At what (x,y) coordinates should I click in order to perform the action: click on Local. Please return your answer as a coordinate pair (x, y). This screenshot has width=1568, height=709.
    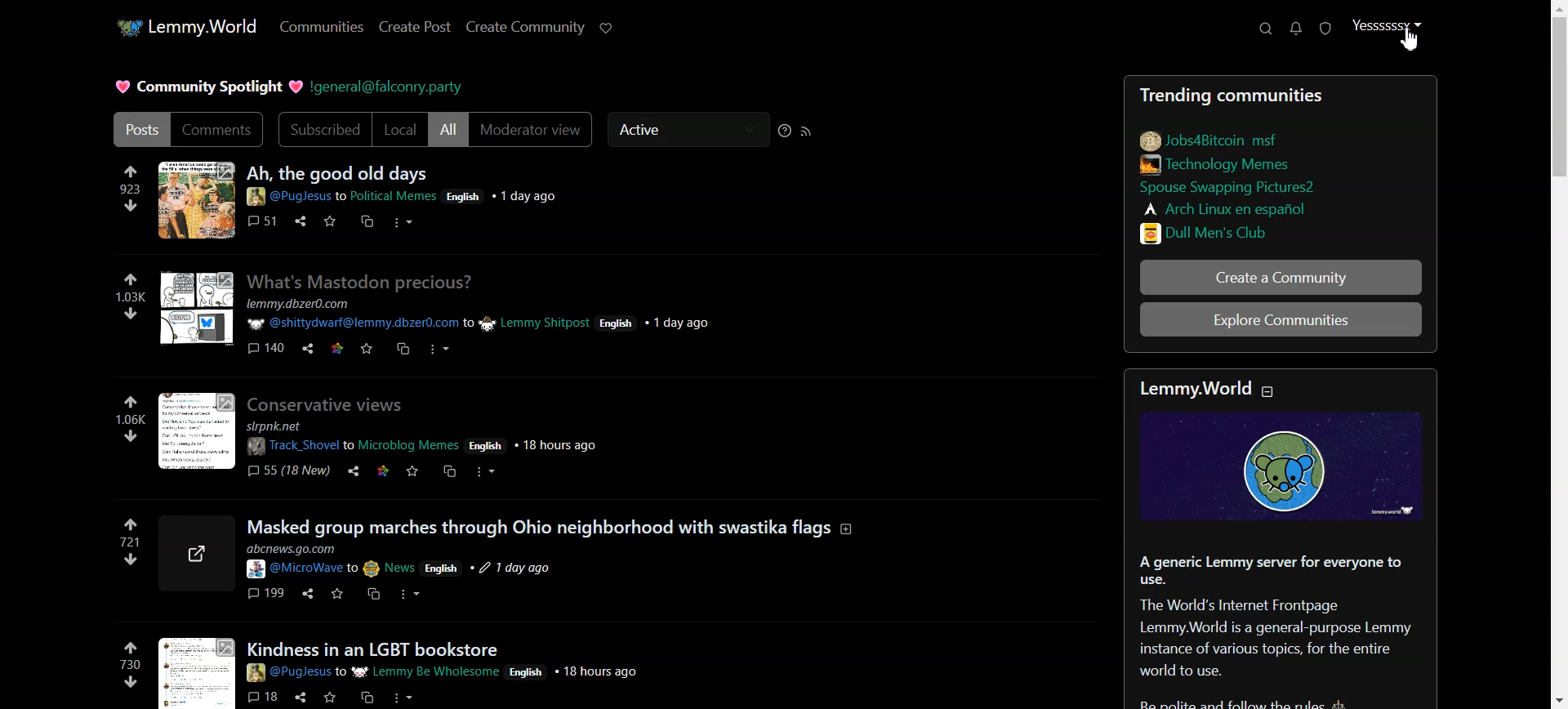
    Looking at the image, I should click on (401, 130).